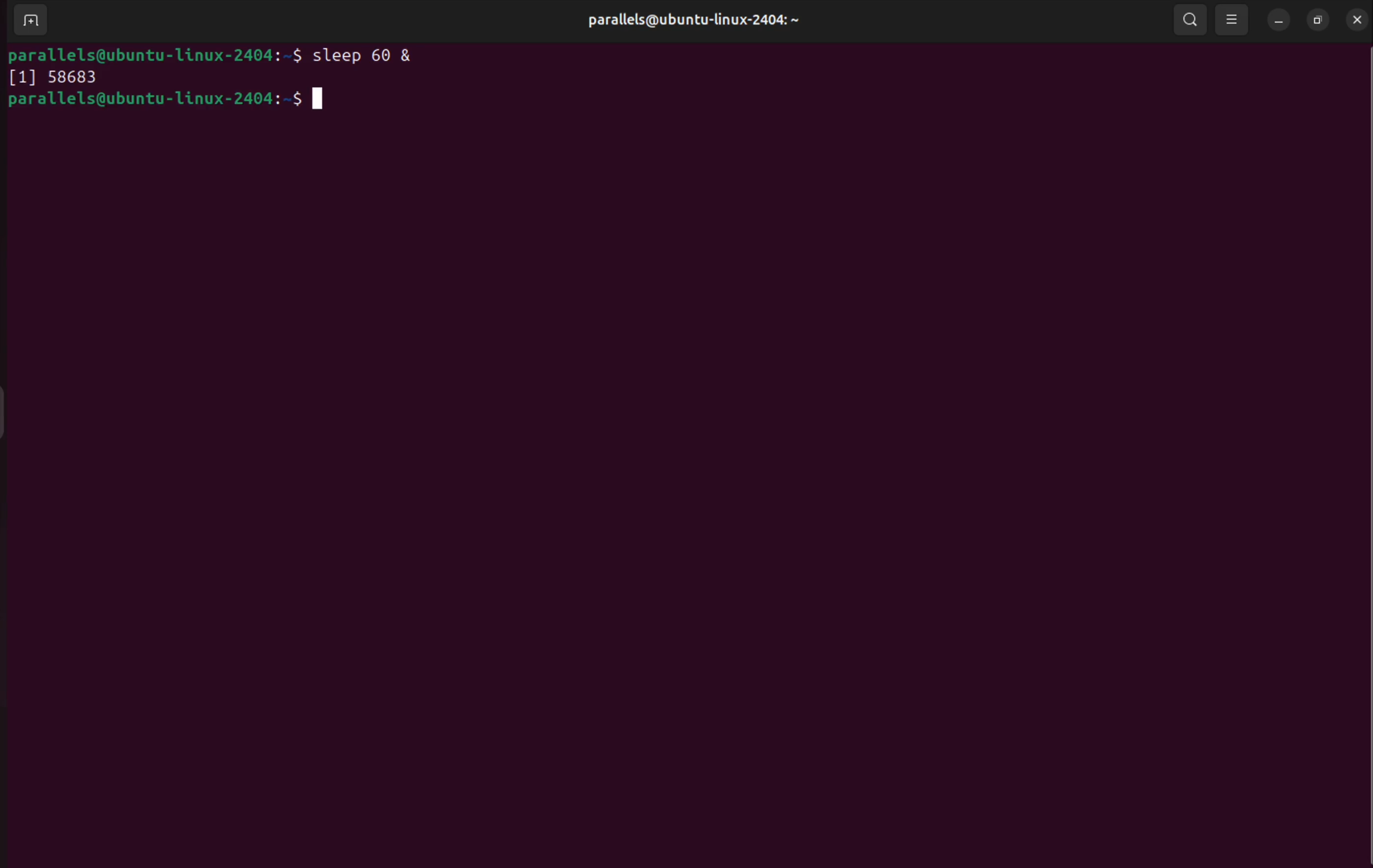 The image size is (1373, 868). I want to click on parallels@ubuntu-linux-2404: ~, so click(689, 21).